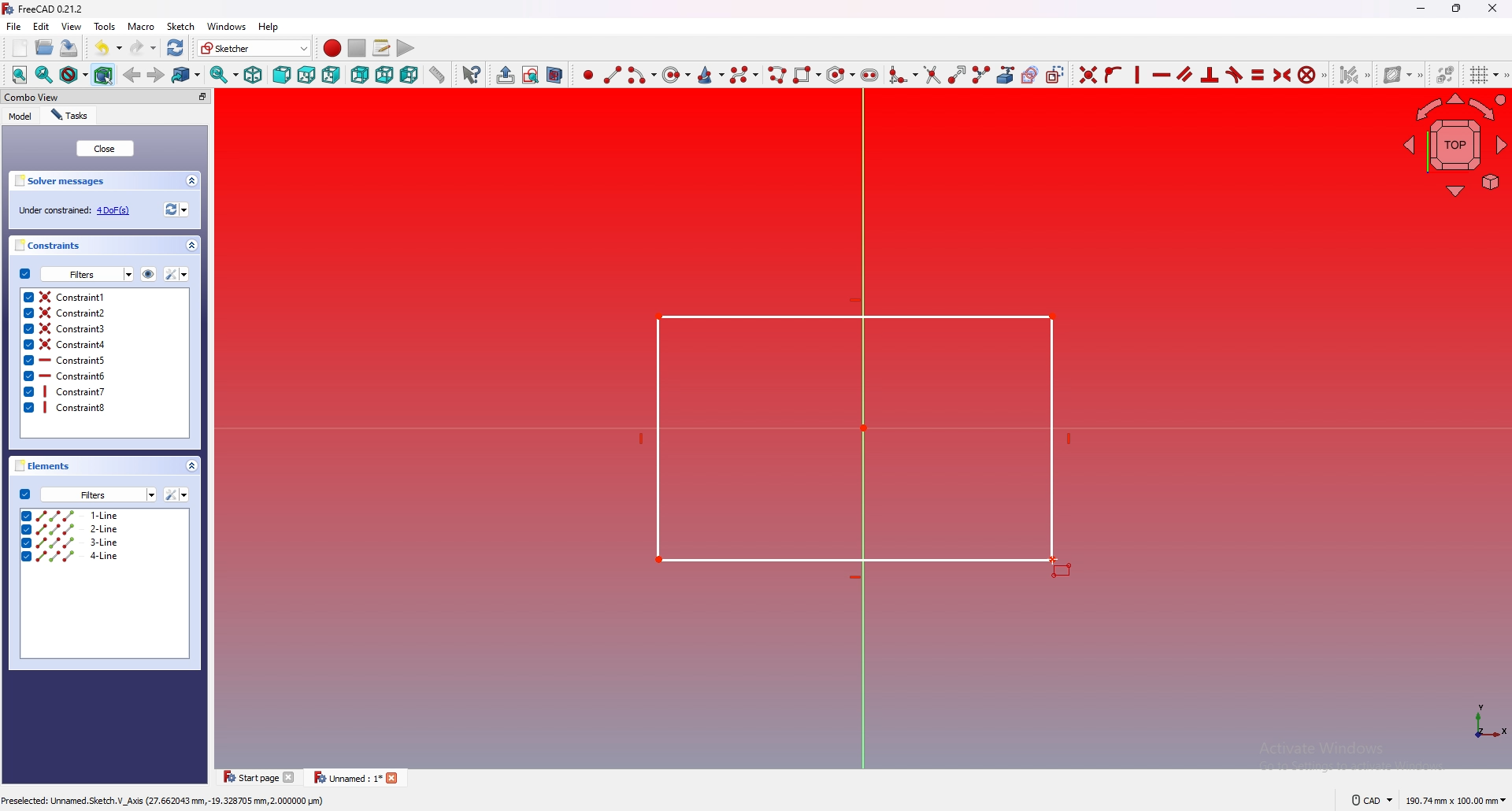 Image resolution: width=1512 pixels, height=811 pixels. Describe the element at coordinates (104, 75) in the screenshot. I see `bounding box` at that location.